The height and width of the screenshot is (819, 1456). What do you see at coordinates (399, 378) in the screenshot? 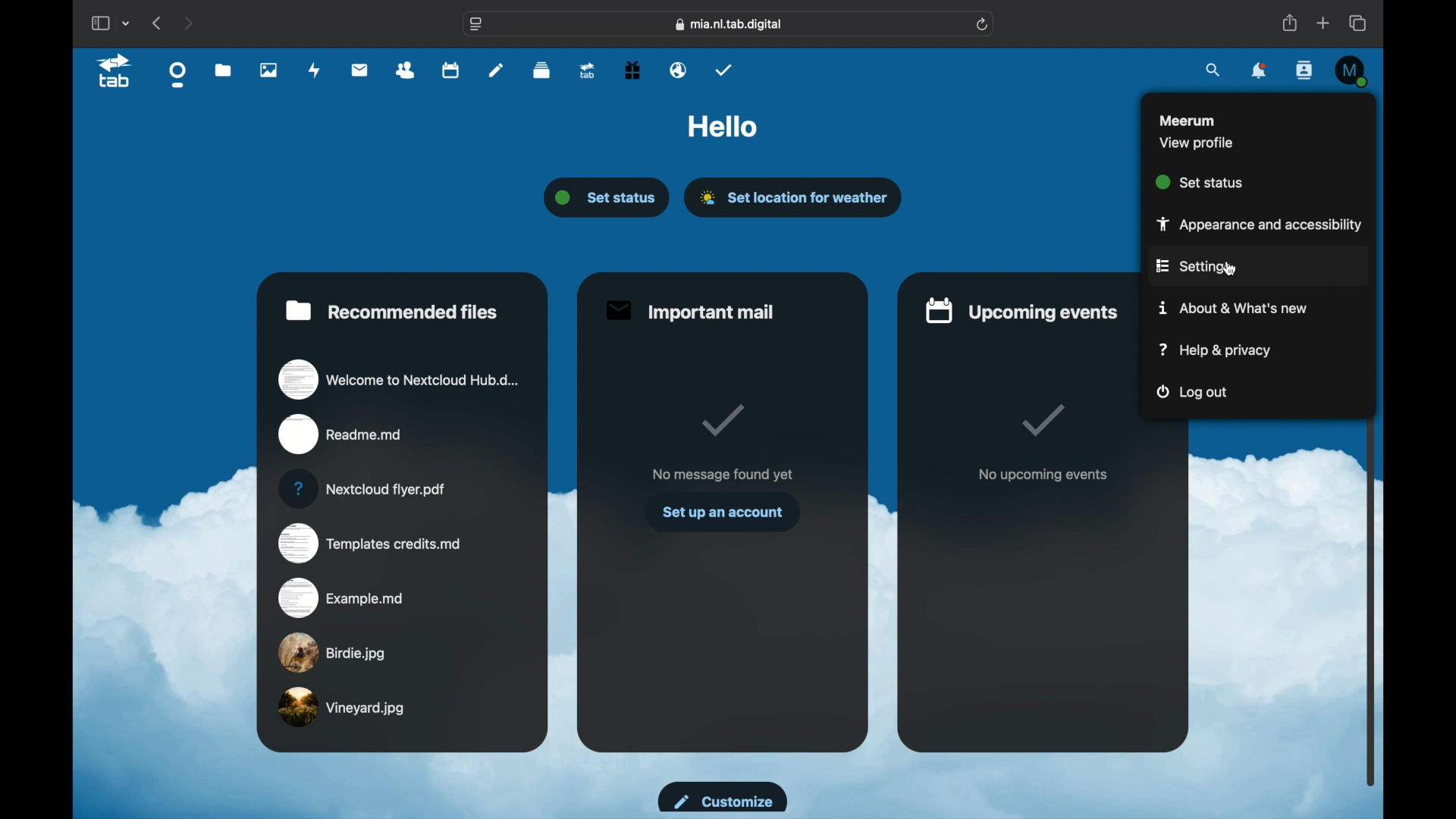
I see `welcome` at bounding box center [399, 378].